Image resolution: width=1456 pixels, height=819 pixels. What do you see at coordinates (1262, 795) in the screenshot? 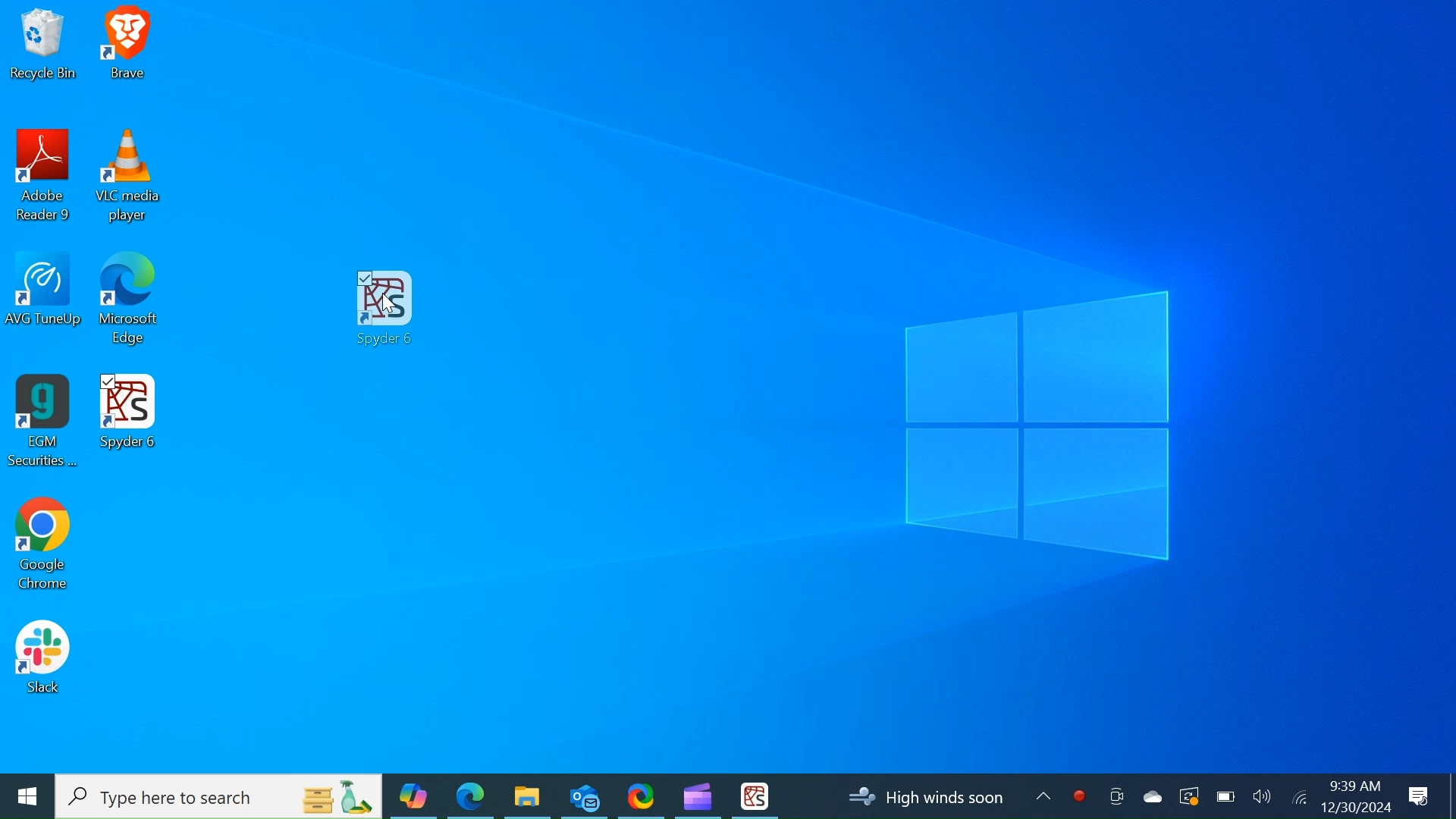
I see `Speaker` at bounding box center [1262, 795].